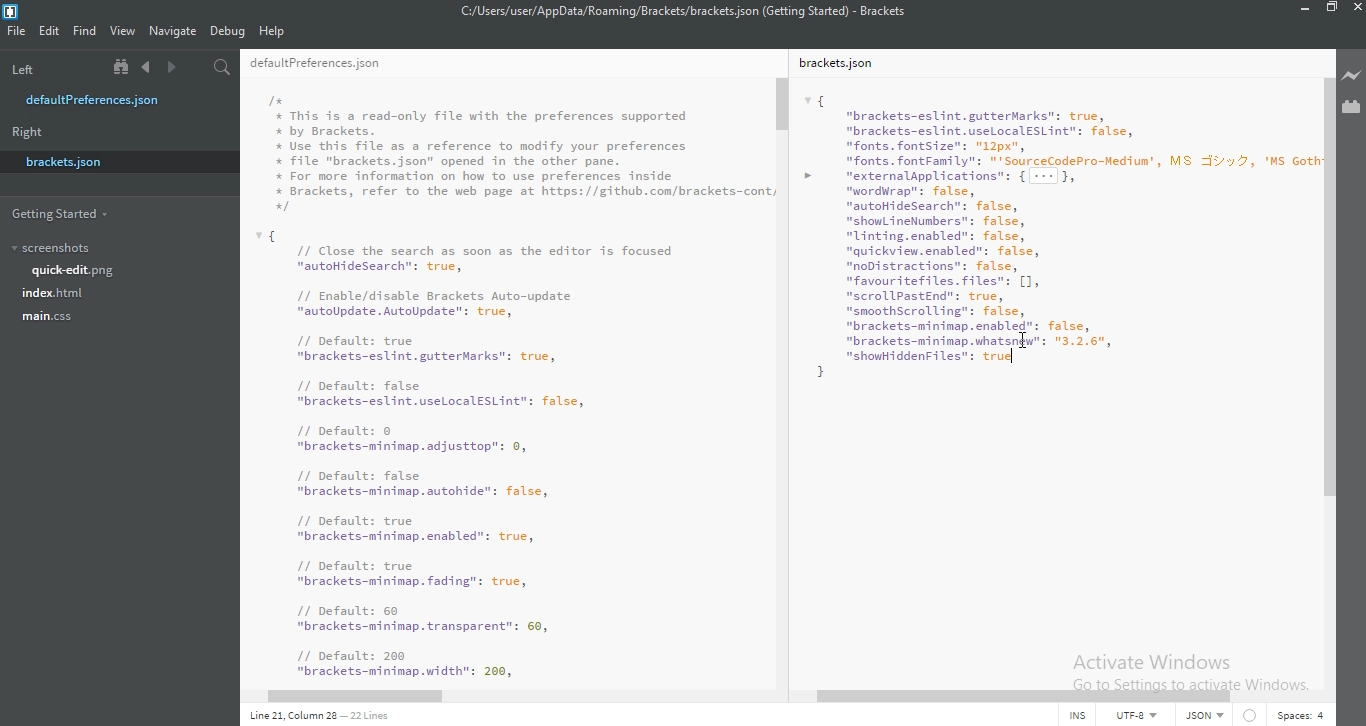 Image resolution: width=1366 pixels, height=726 pixels. What do you see at coordinates (785, 101) in the screenshot?
I see `scrollbar` at bounding box center [785, 101].